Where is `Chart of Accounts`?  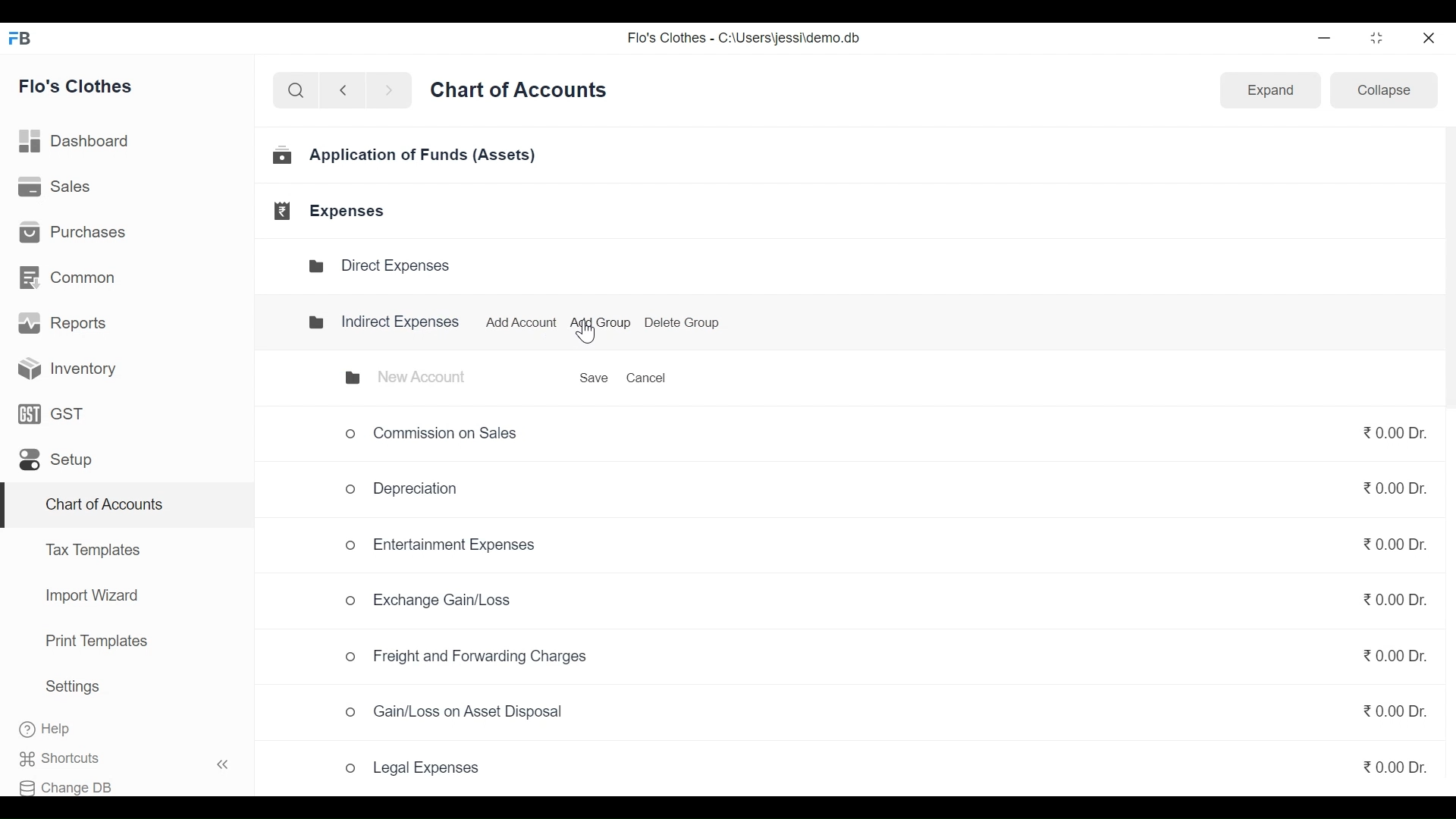
Chart of Accounts is located at coordinates (522, 95).